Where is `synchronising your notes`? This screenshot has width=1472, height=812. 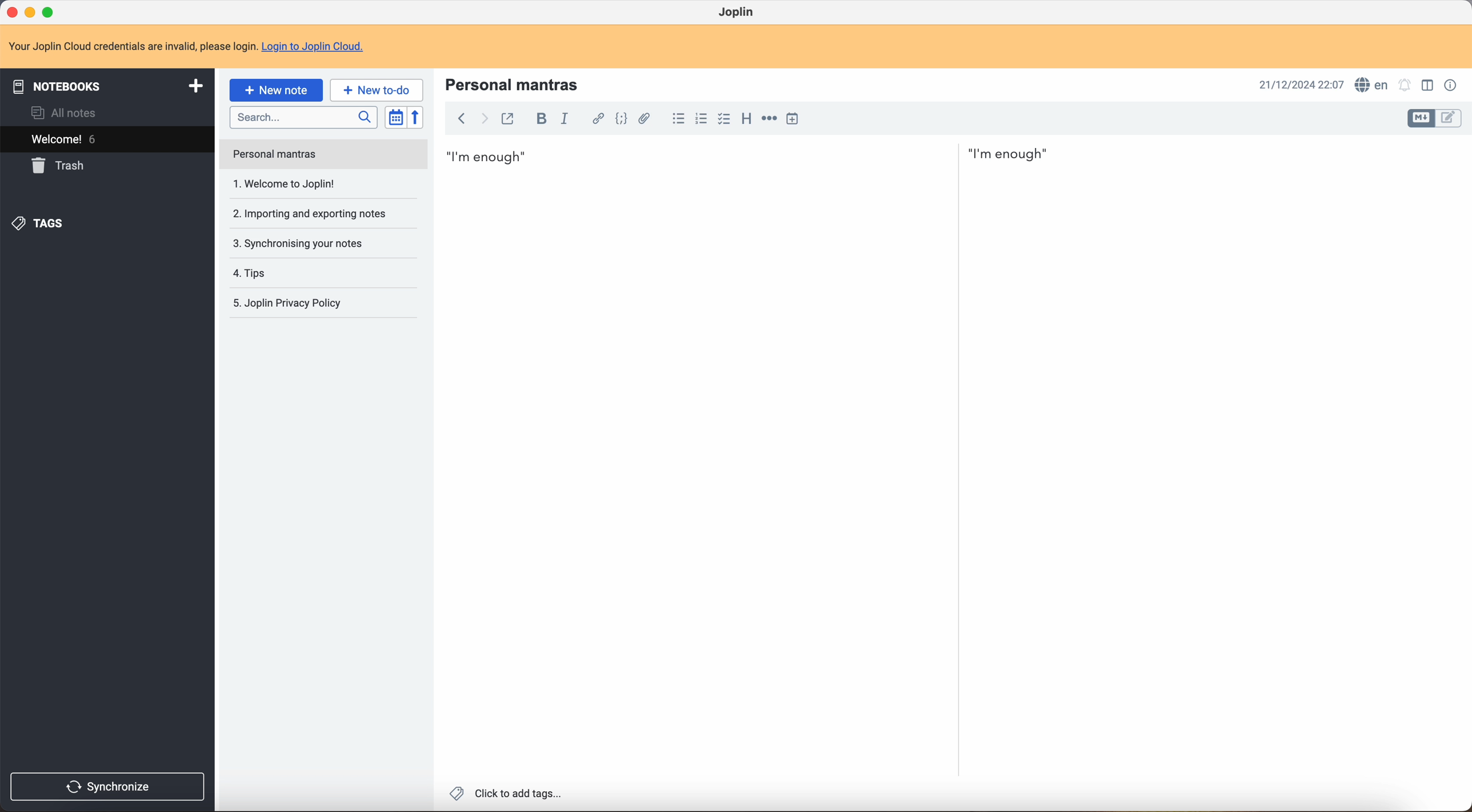 synchronising your notes is located at coordinates (315, 217).